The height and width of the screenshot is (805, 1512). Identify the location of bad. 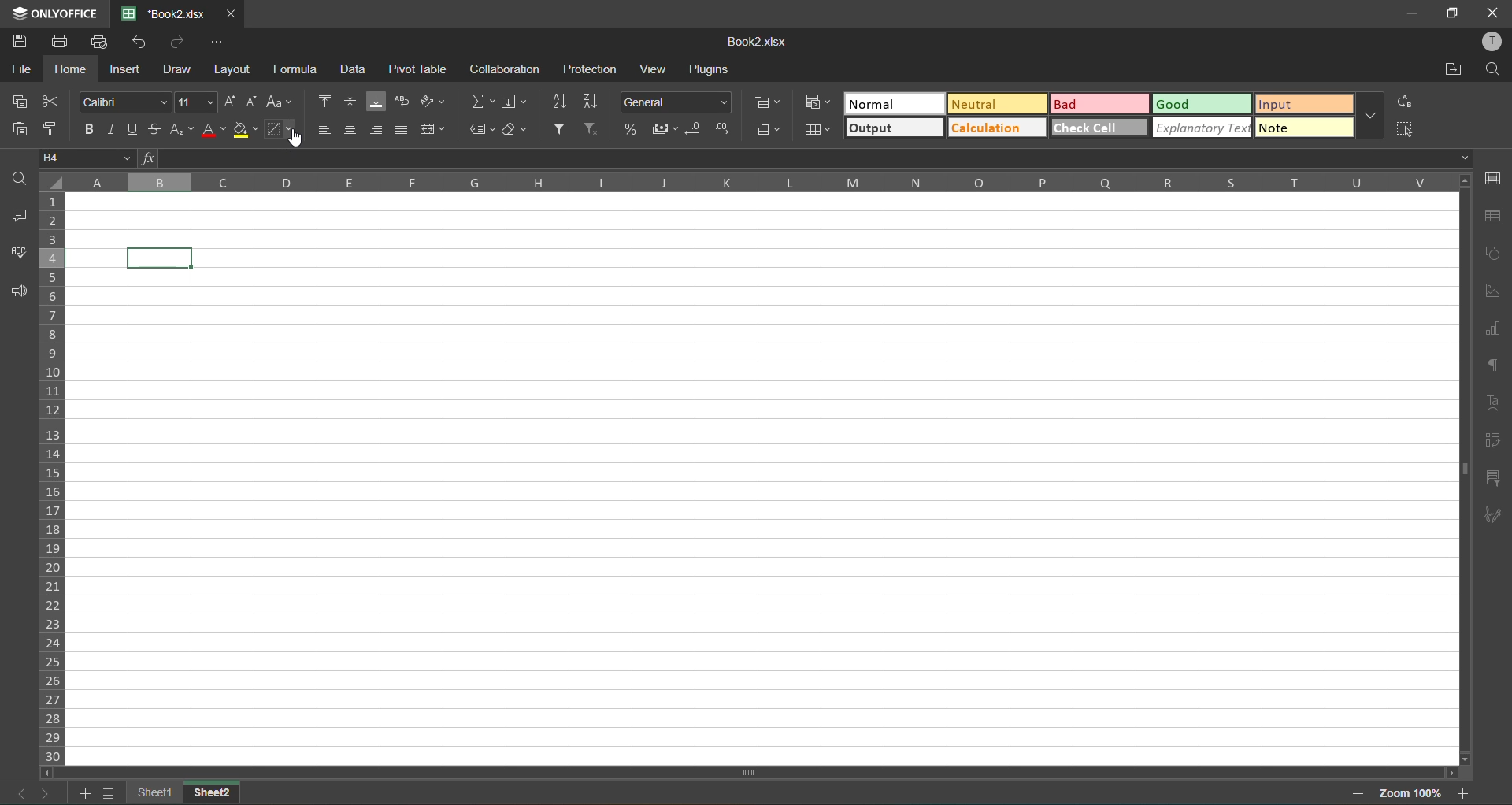
(1098, 106).